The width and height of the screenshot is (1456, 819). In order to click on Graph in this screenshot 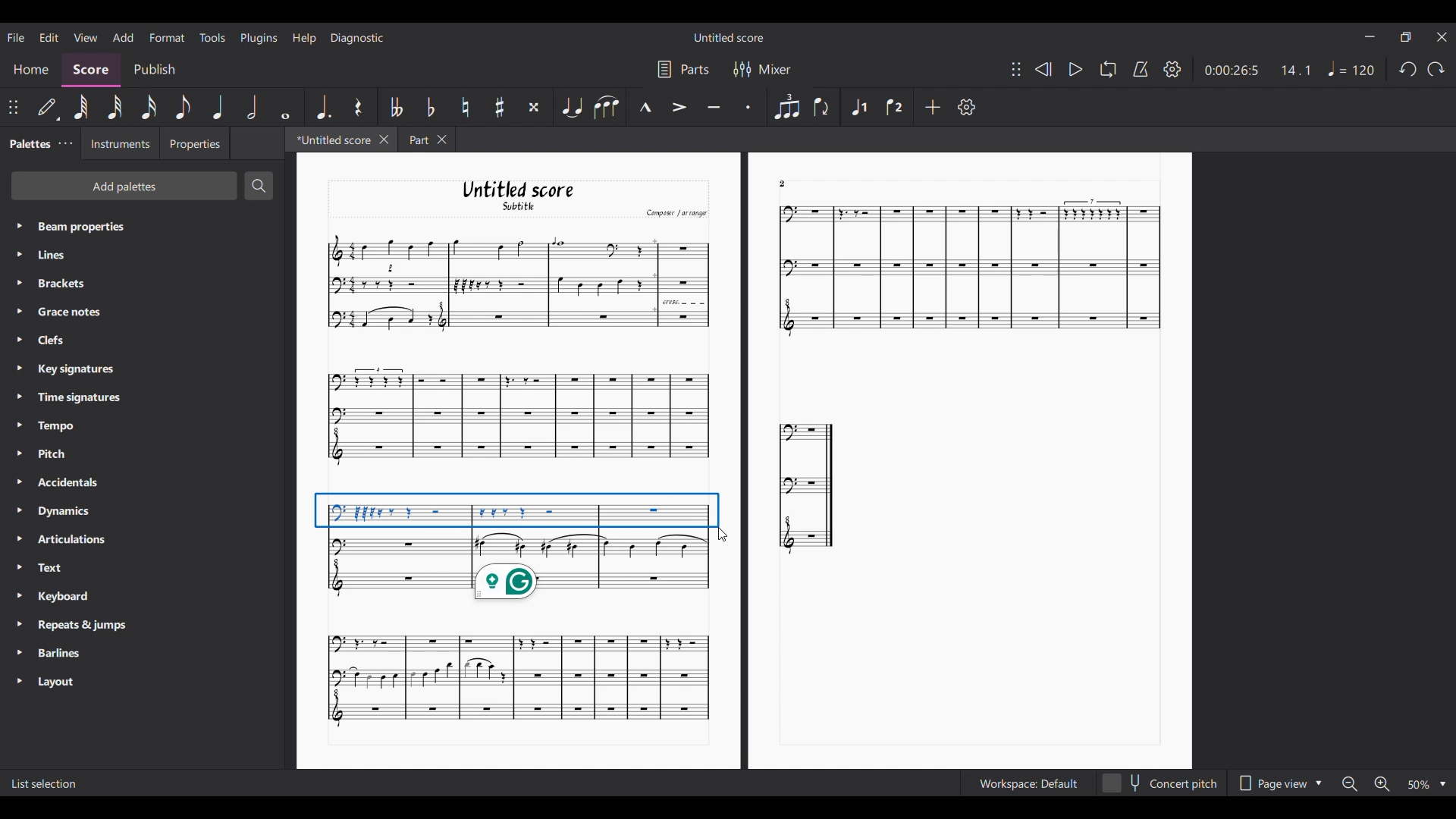, I will do `click(808, 486)`.